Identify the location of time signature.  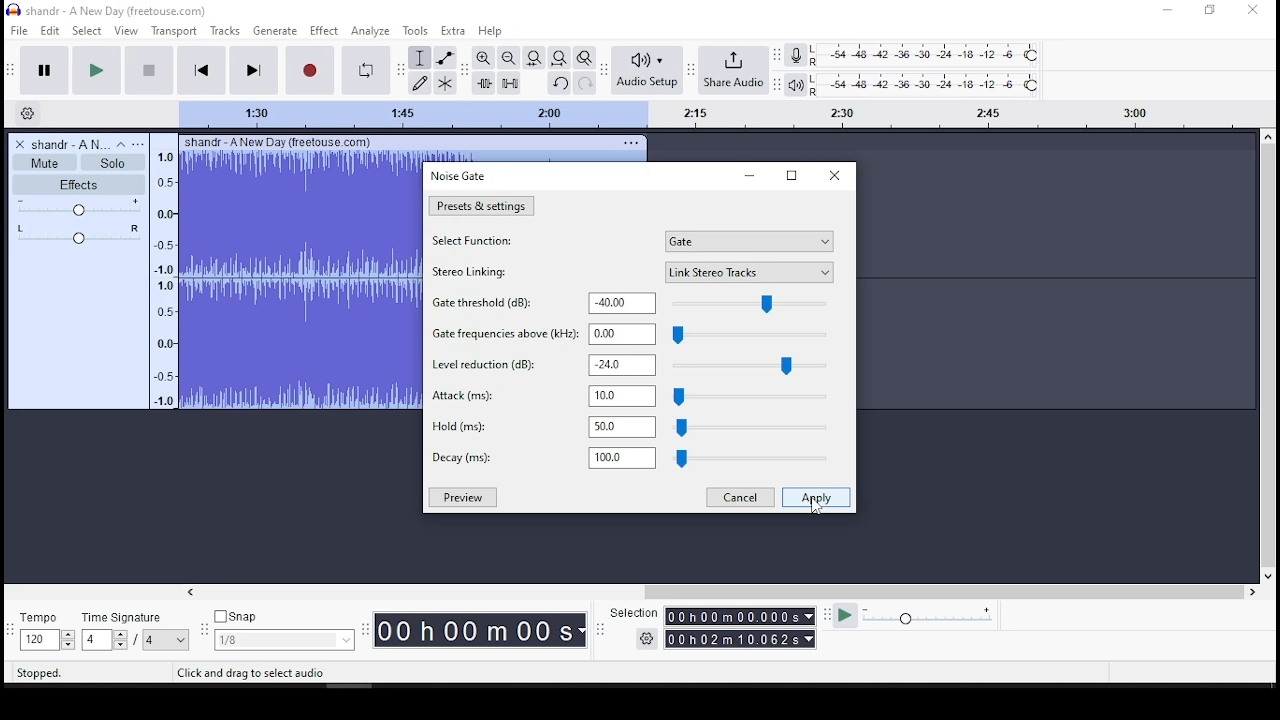
(136, 631).